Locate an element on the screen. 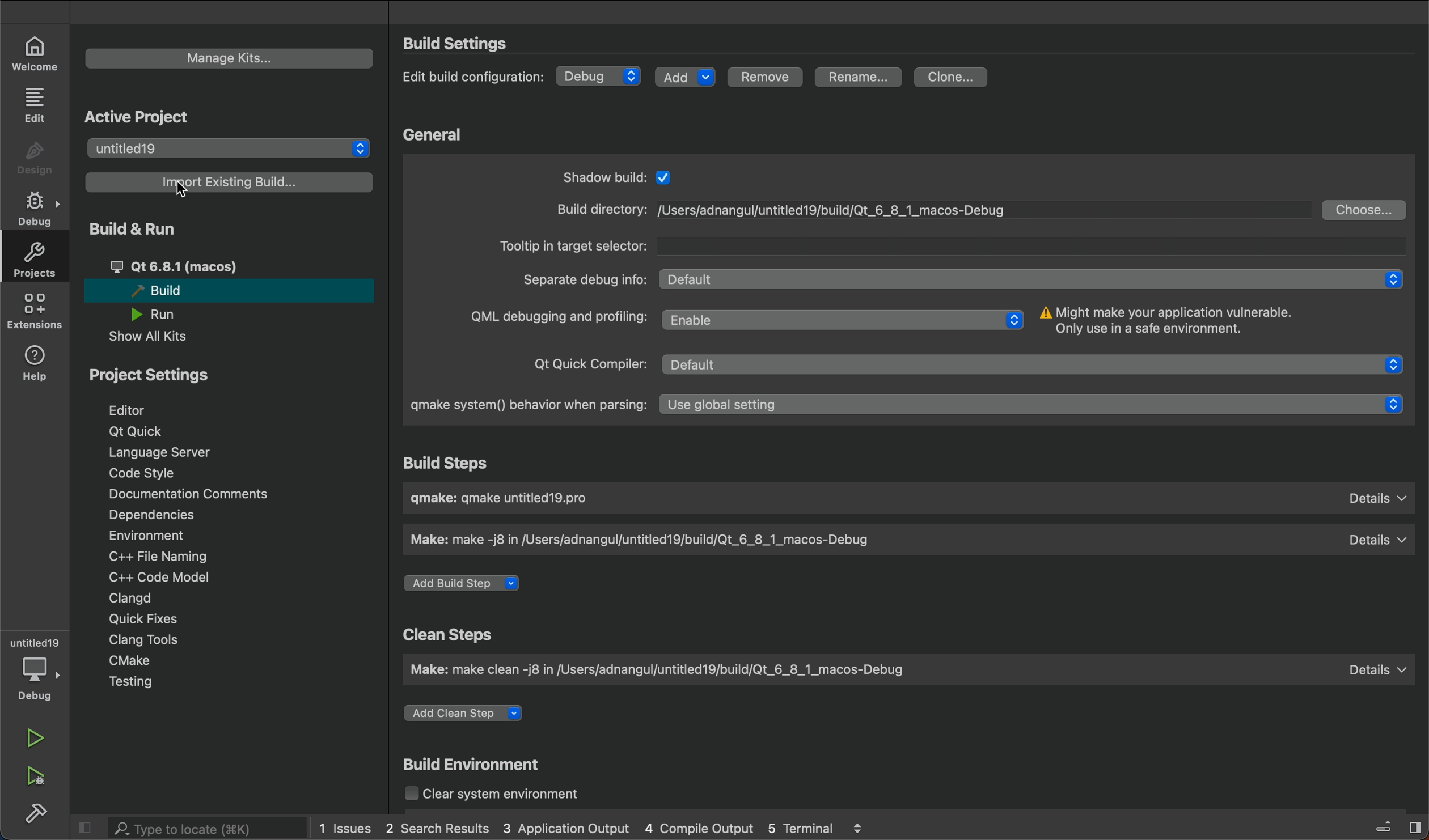 This screenshot has width=1429, height=840. language server is located at coordinates (171, 452).